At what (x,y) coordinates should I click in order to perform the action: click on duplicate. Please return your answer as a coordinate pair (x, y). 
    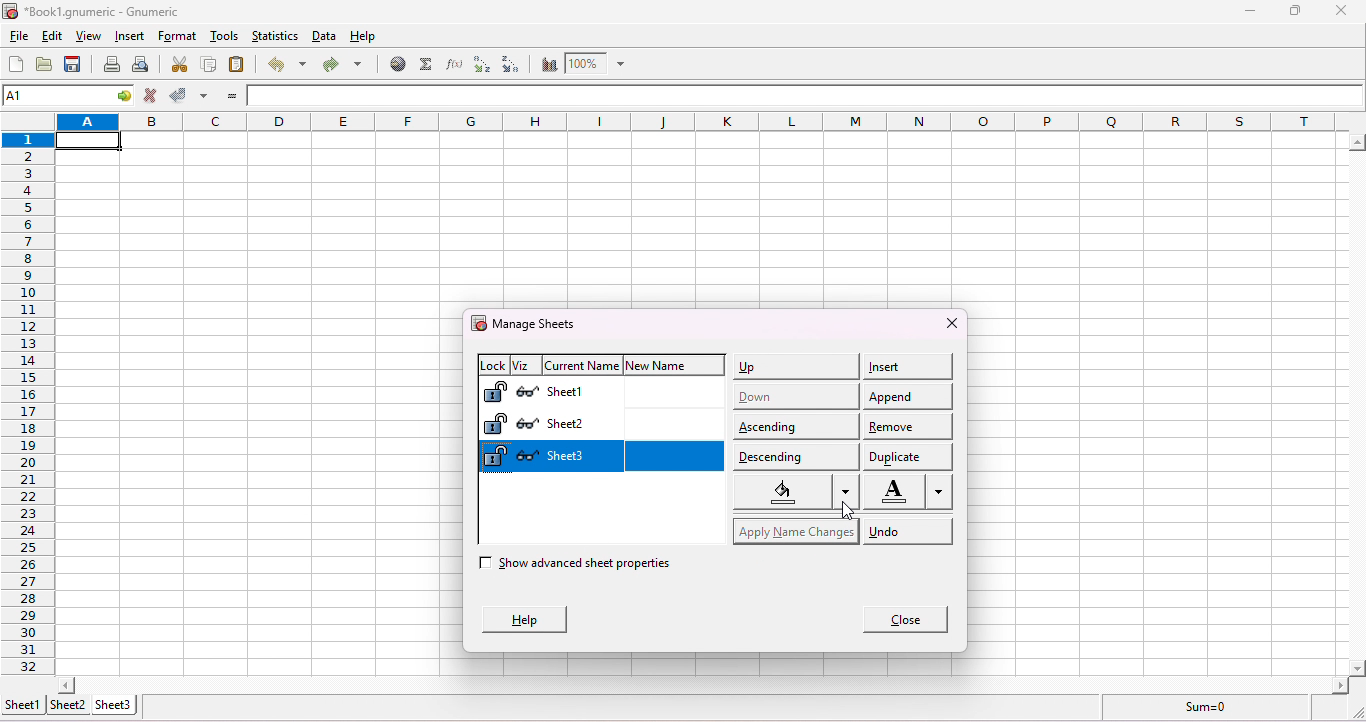
    Looking at the image, I should click on (907, 455).